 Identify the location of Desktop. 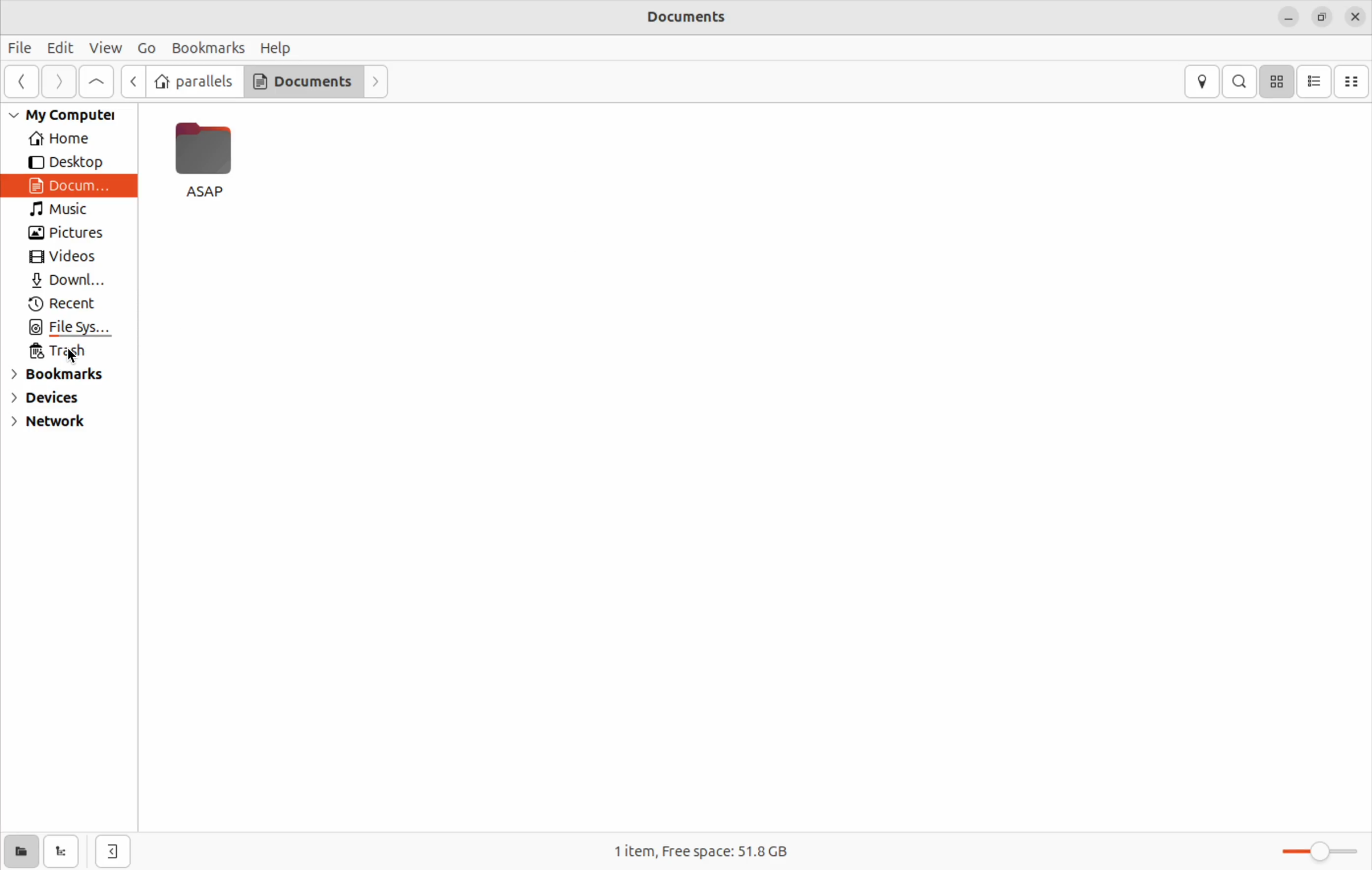
(62, 162).